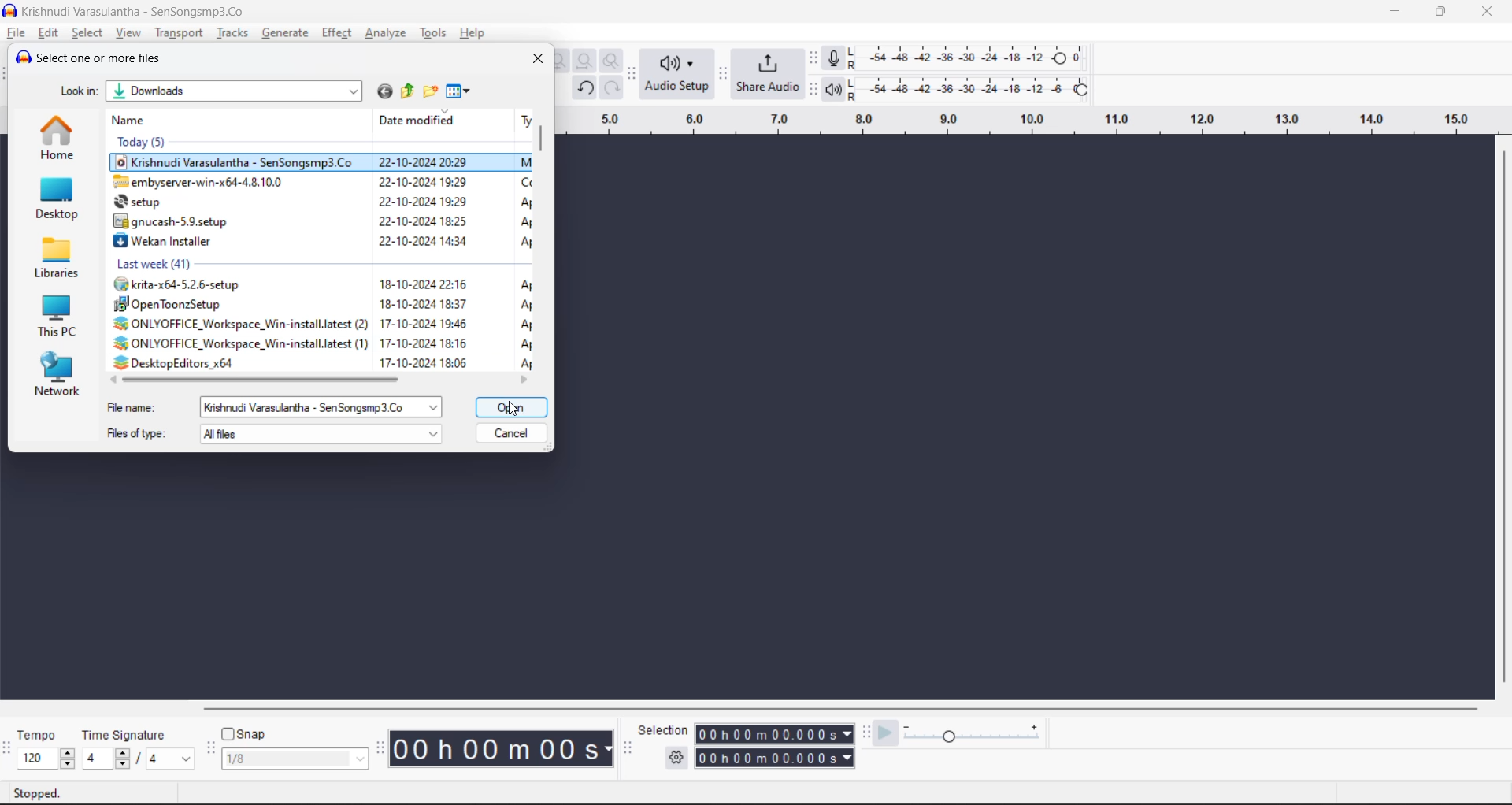  I want to click on Select one or more files, so click(96, 57).